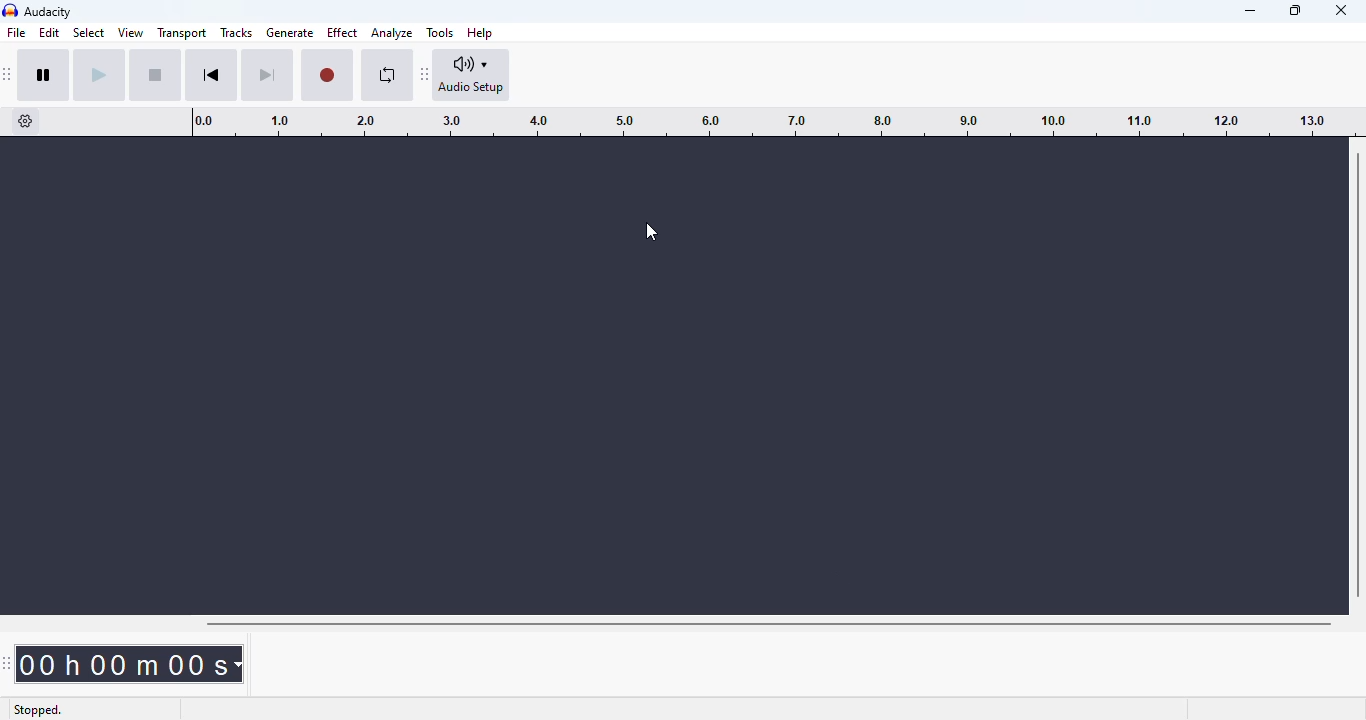 The height and width of the screenshot is (720, 1366). What do you see at coordinates (388, 75) in the screenshot?
I see `enable looping` at bounding box center [388, 75].